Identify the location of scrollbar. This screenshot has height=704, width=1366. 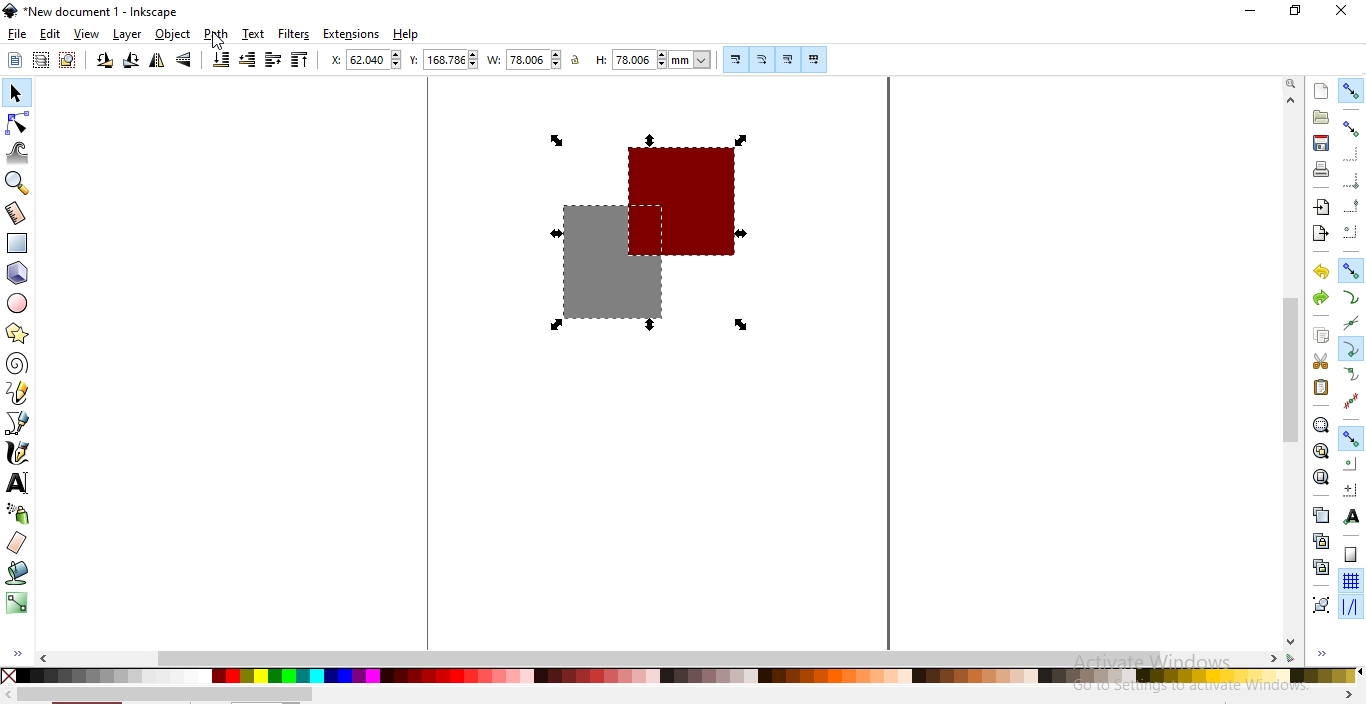
(1292, 369).